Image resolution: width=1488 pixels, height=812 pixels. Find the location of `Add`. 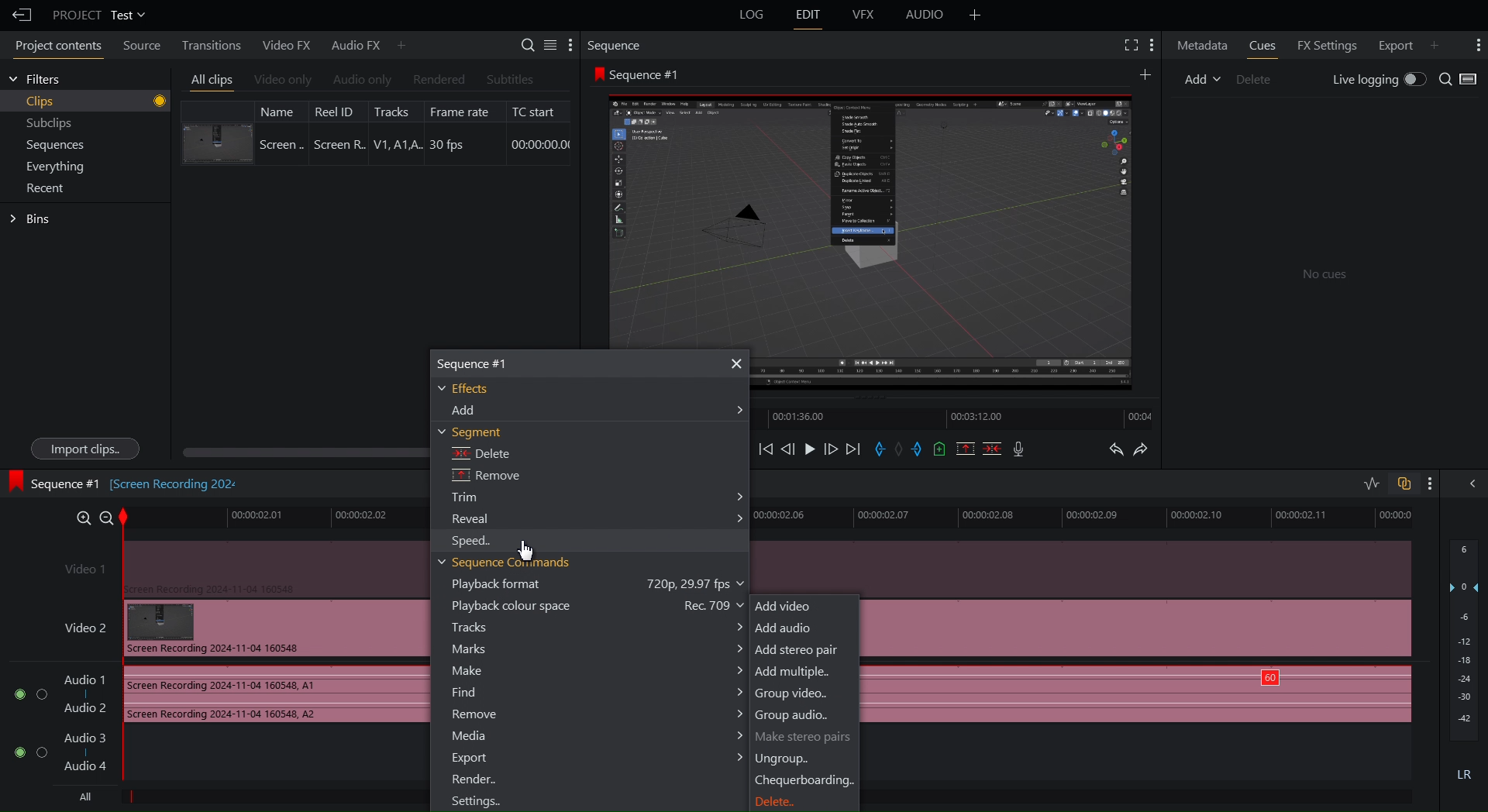

Add is located at coordinates (598, 410).